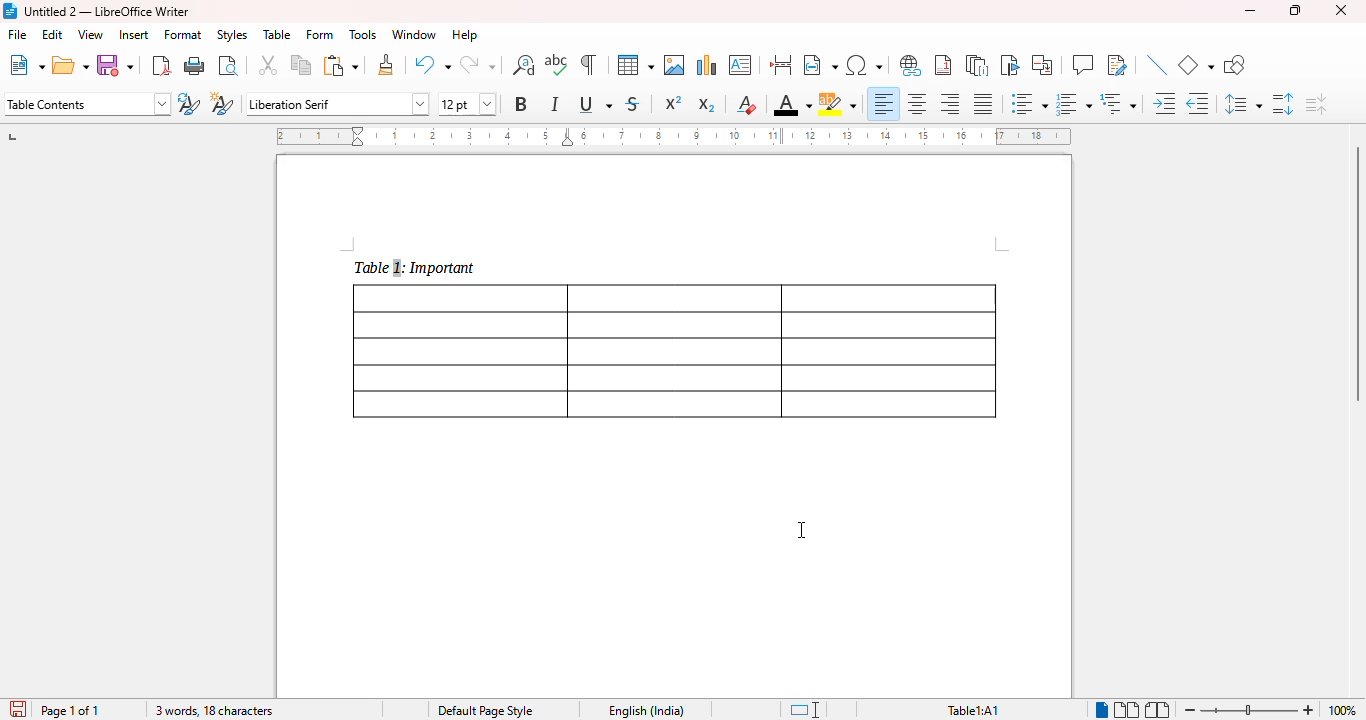 Image resolution: width=1366 pixels, height=720 pixels. What do you see at coordinates (183, 35) in the screenshot?
I see `format` at bounding box center [183, 35].